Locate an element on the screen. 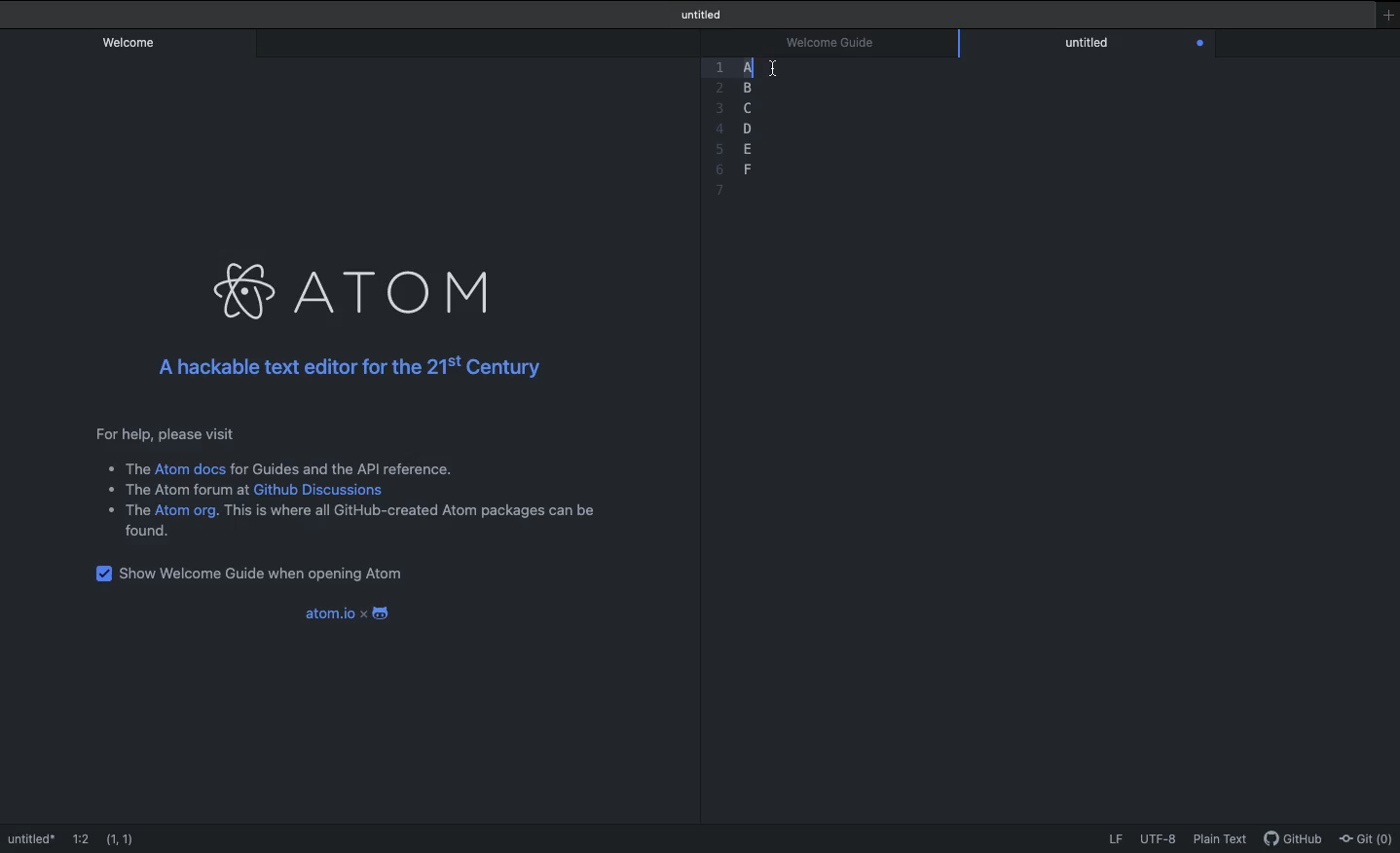 Image resolution: width=1400 pixels, height=853 pixels. 6 is located at coordinates (719, 172).